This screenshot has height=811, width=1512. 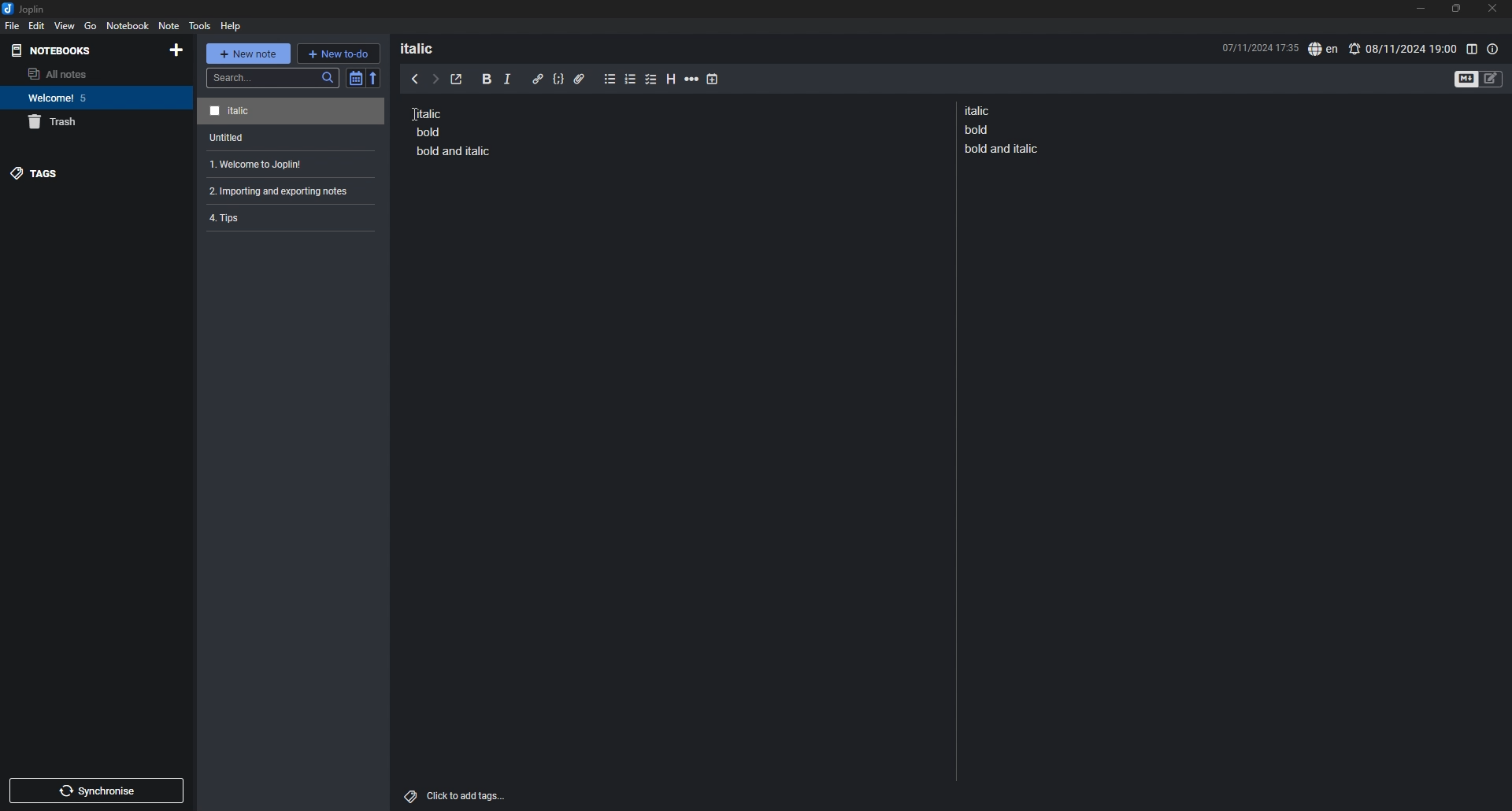 I want to click on bold, so click(x=487, y=80).